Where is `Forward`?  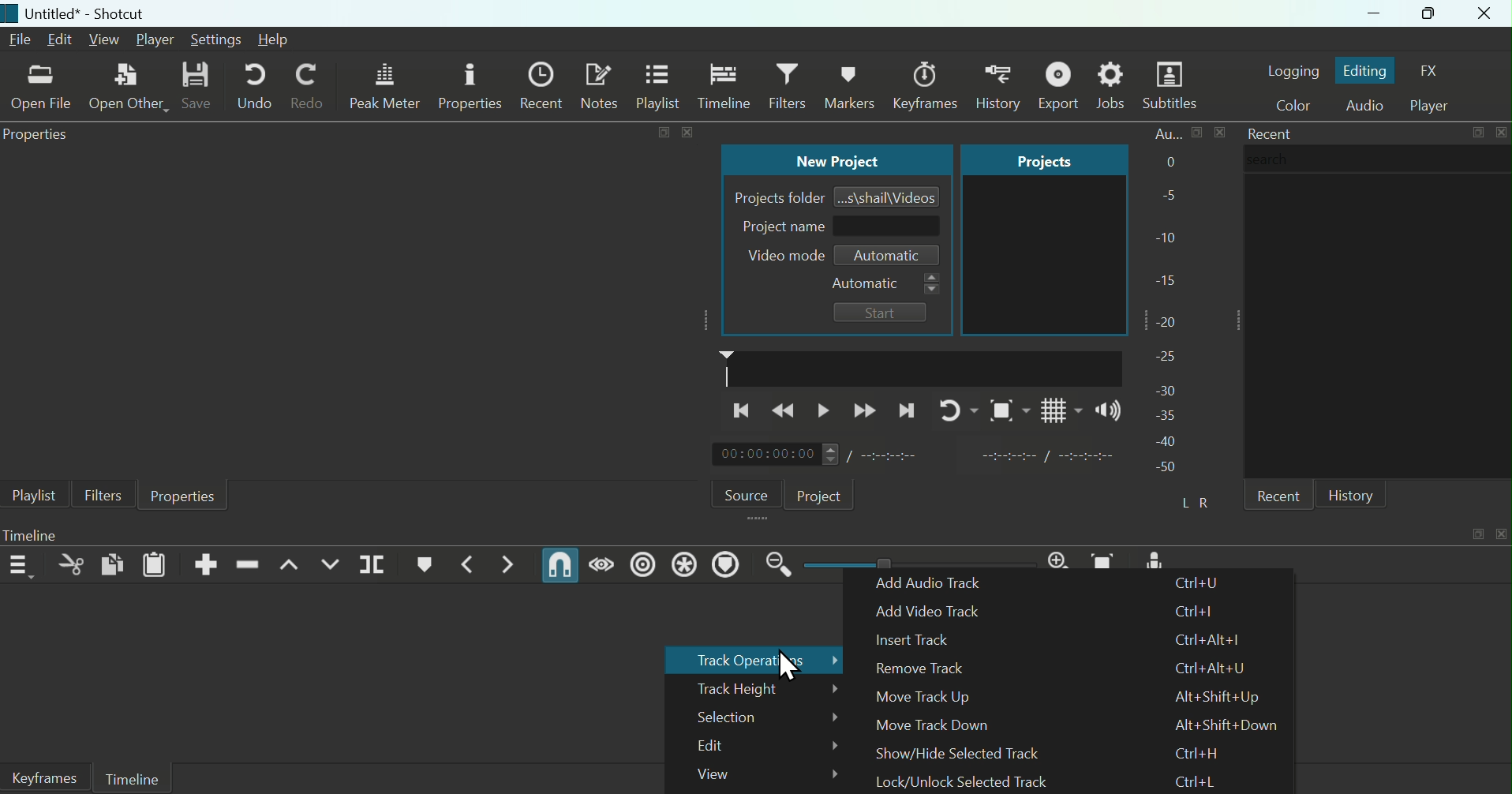
Forward is located at coordinates (866, 409).